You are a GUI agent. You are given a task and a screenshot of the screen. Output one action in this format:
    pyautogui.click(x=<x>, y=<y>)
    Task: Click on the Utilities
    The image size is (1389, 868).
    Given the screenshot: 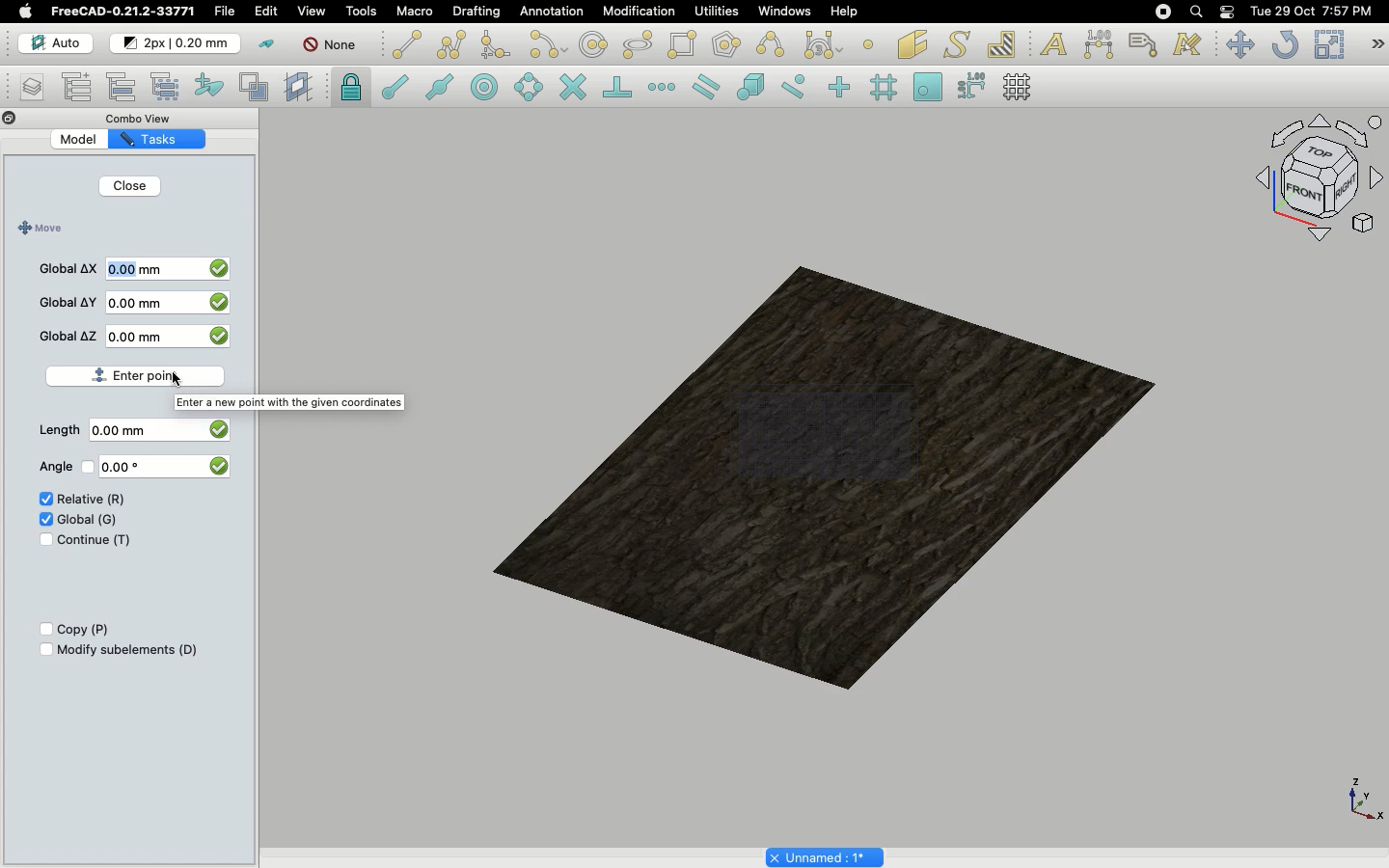 What is the action you would take?
    pyautogui.click(x=717, y=12)
    